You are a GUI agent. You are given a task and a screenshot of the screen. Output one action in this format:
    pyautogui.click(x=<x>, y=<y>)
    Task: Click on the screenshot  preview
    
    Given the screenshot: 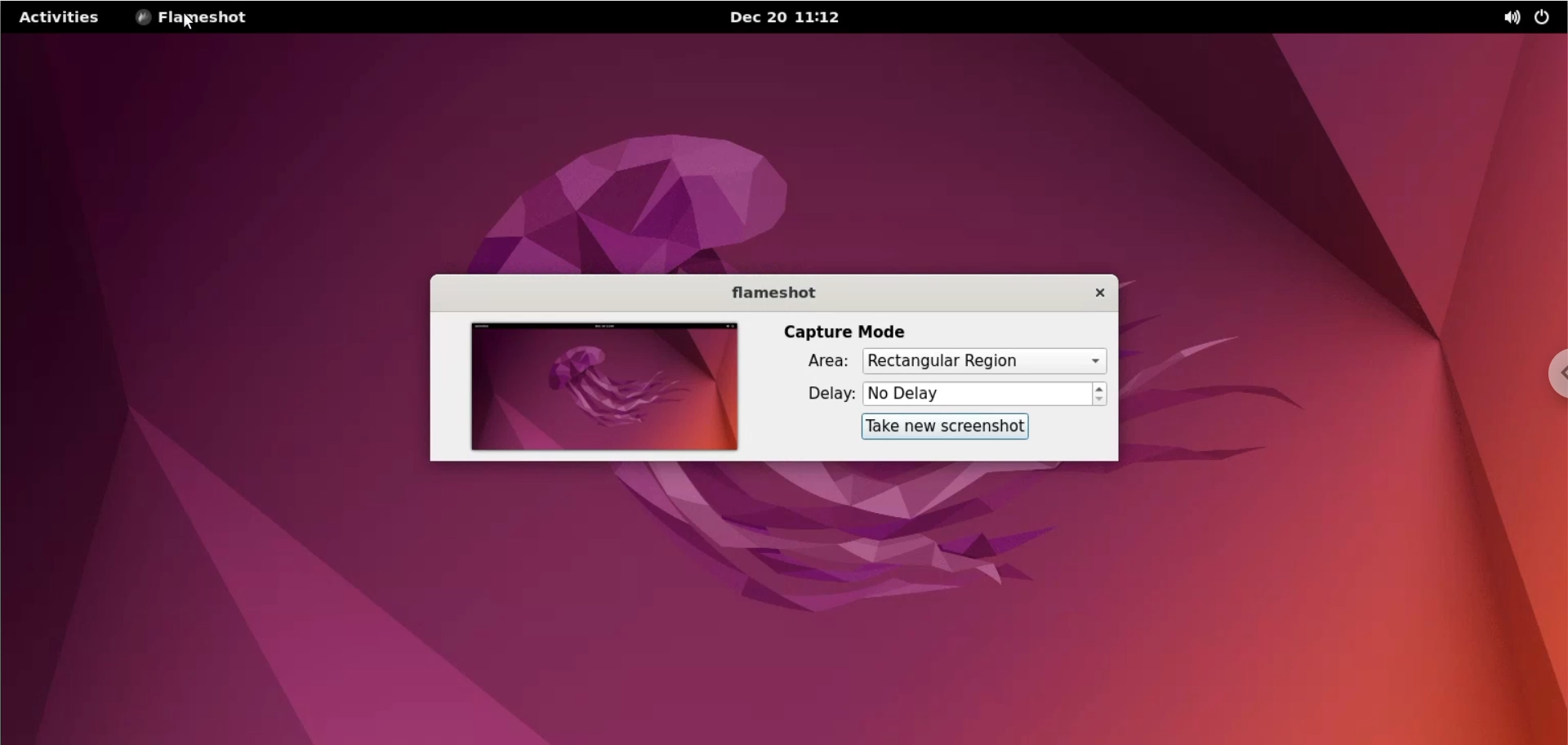 What is the action you would take?
    pyautogui.click(x=607, y=386)
    